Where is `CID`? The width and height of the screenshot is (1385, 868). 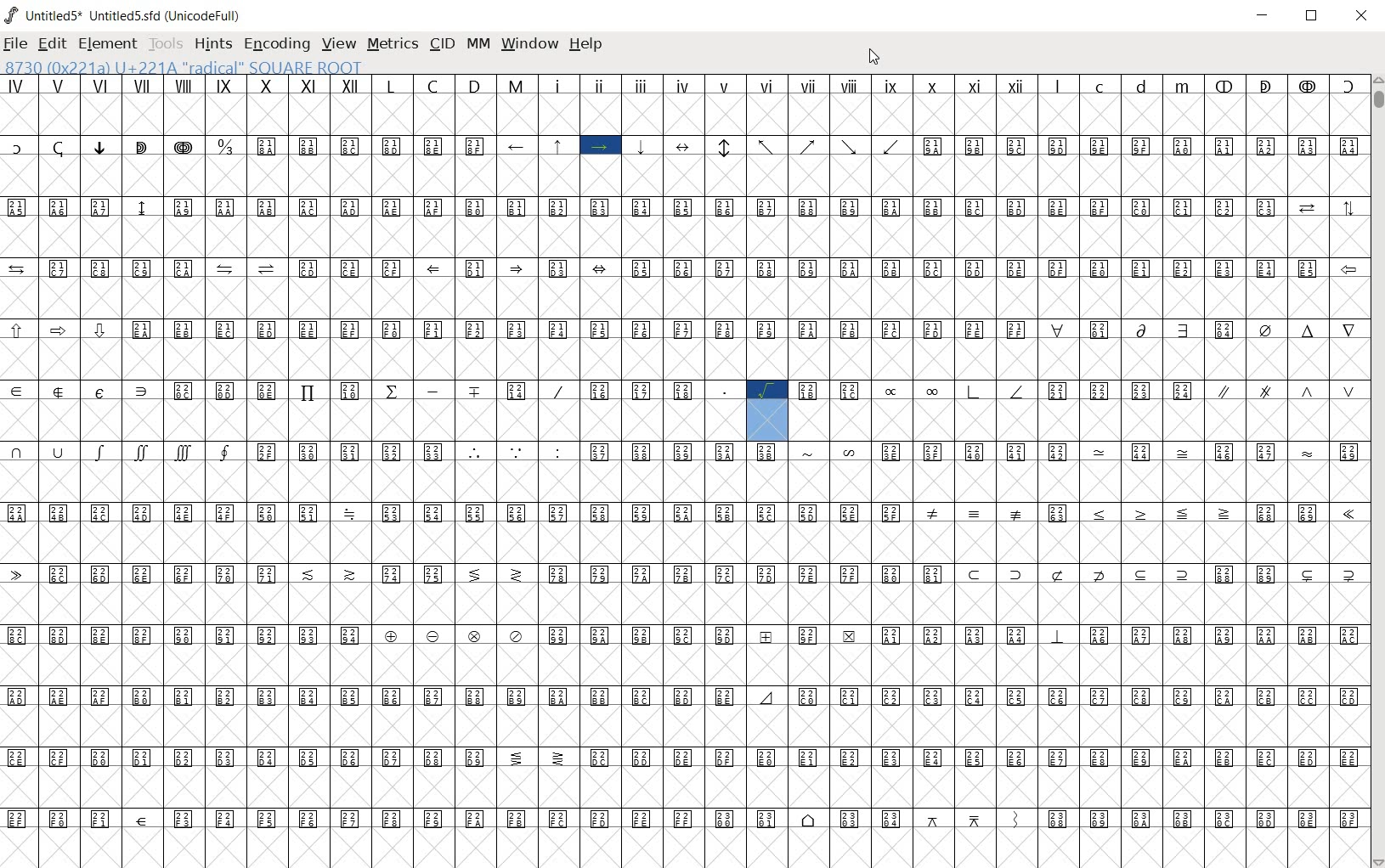 CID is located at coordinates (440, 44).